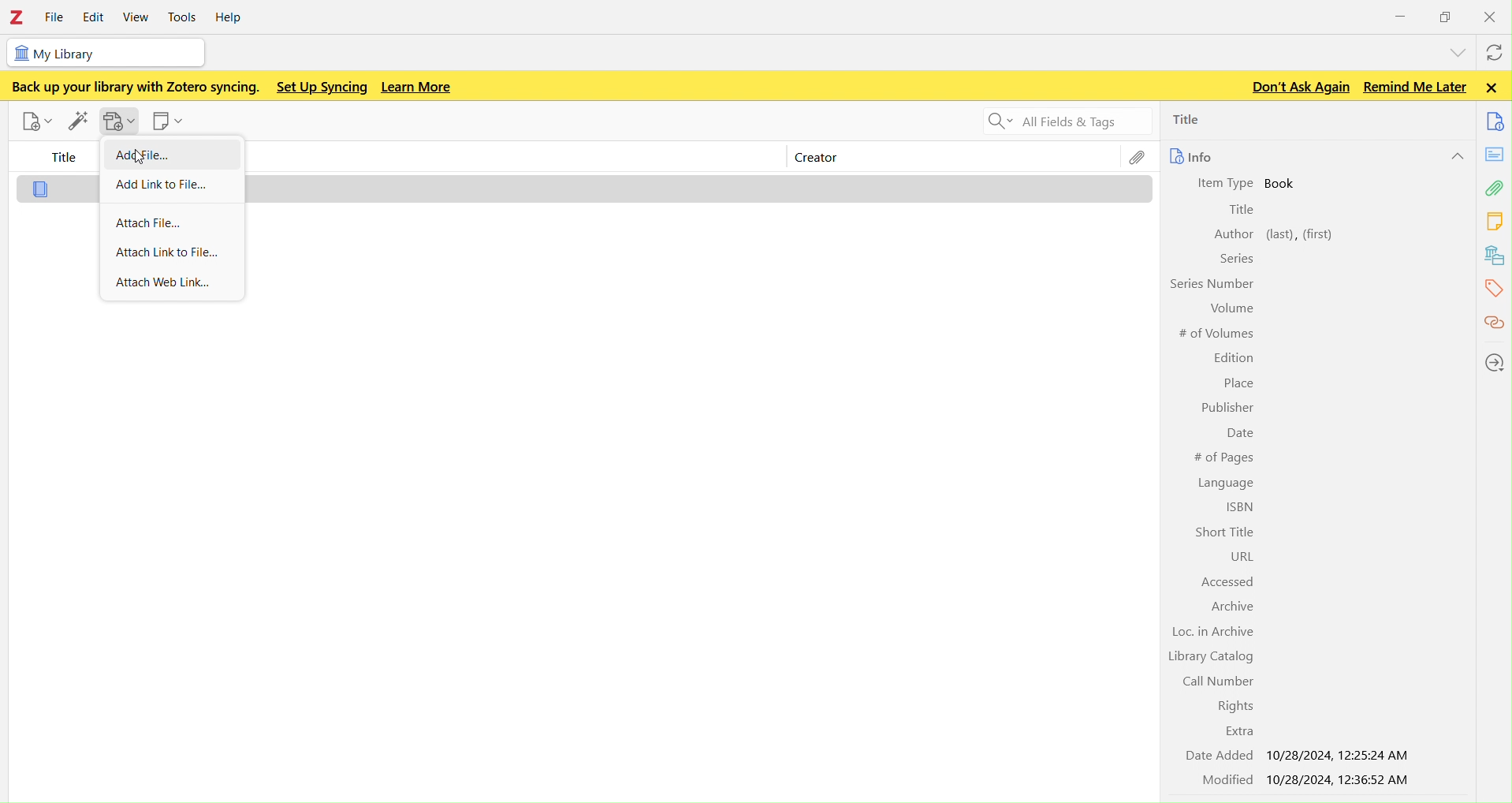  Describe the element at coordinates (1343, 755) in the screenshot. I see `10/28/2024, 12:25:24 AM` at that location.